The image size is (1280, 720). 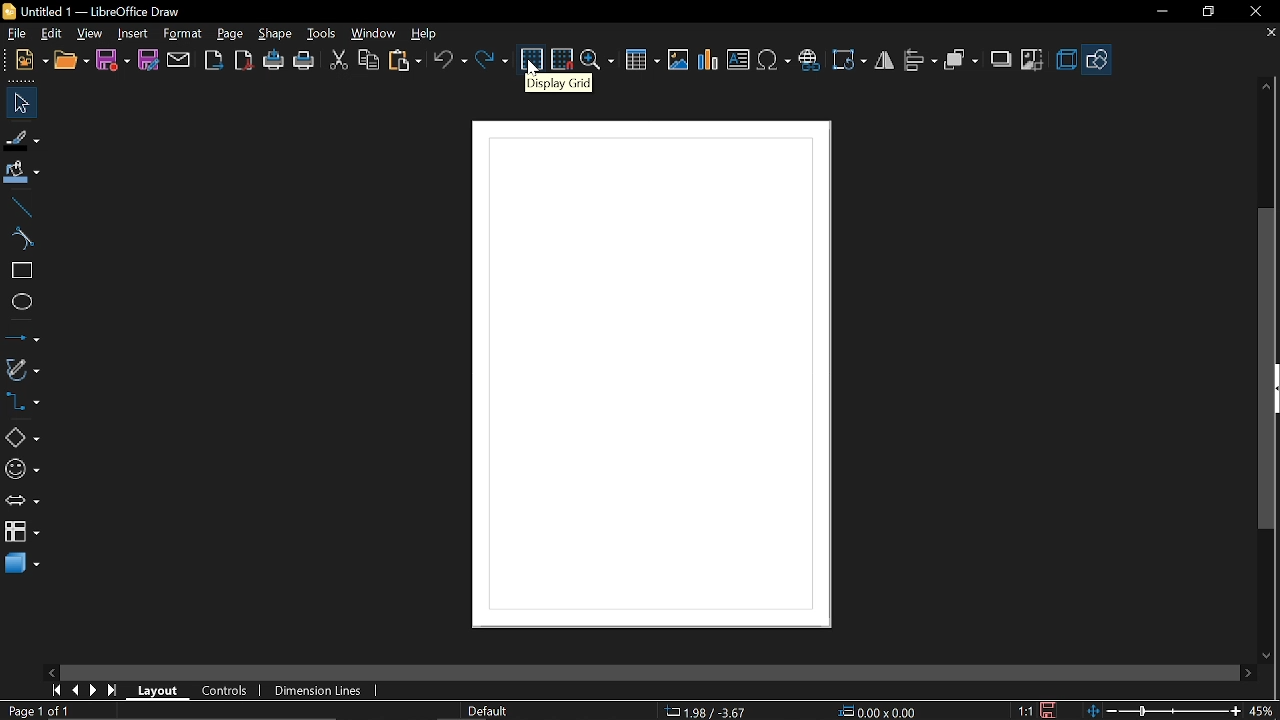 I want to click on Insert table, so click(x=642, y=61).